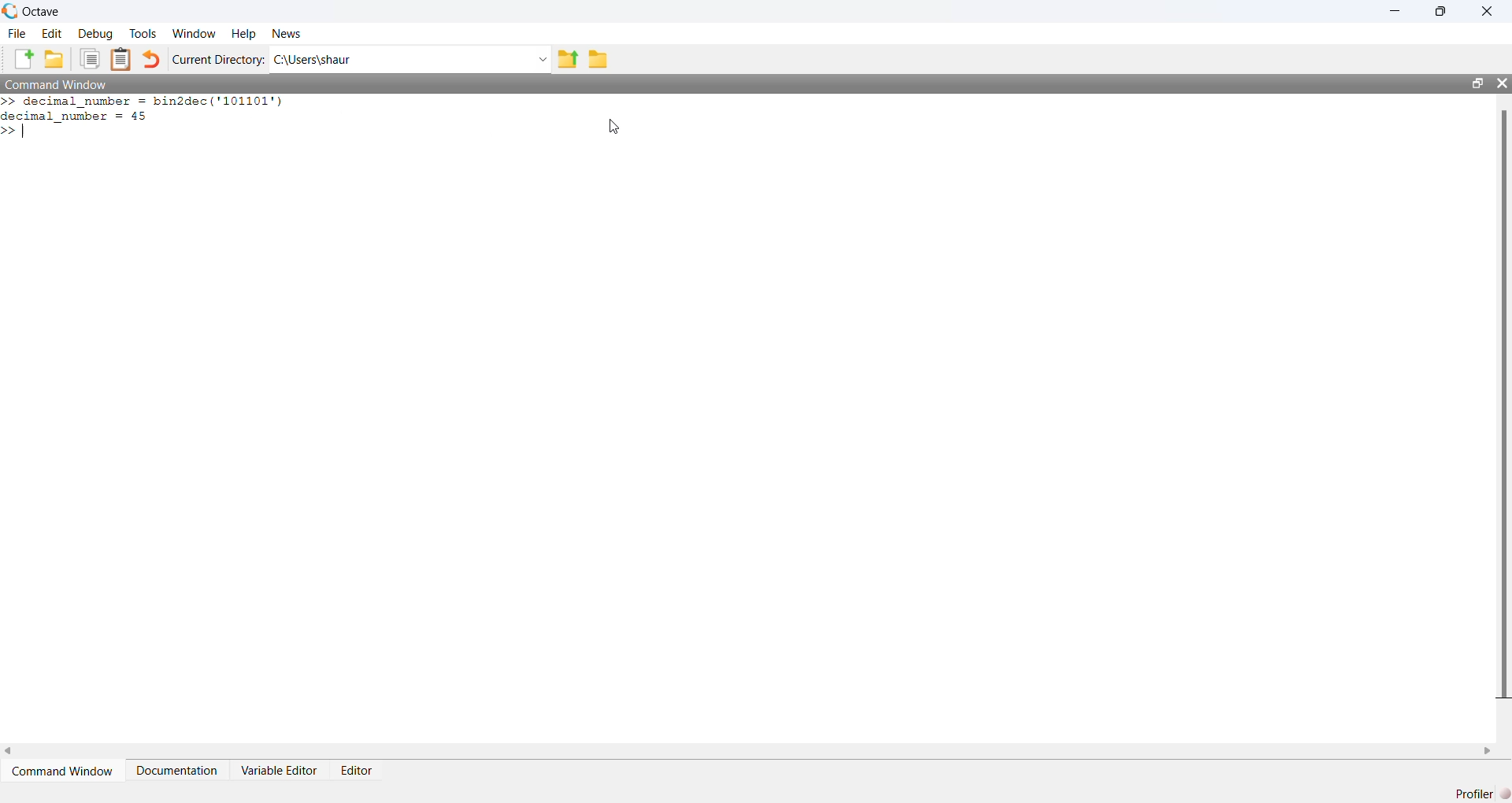  Describe the element at coordinates (598, 60) in the screenshot. I see `folder` at that location.